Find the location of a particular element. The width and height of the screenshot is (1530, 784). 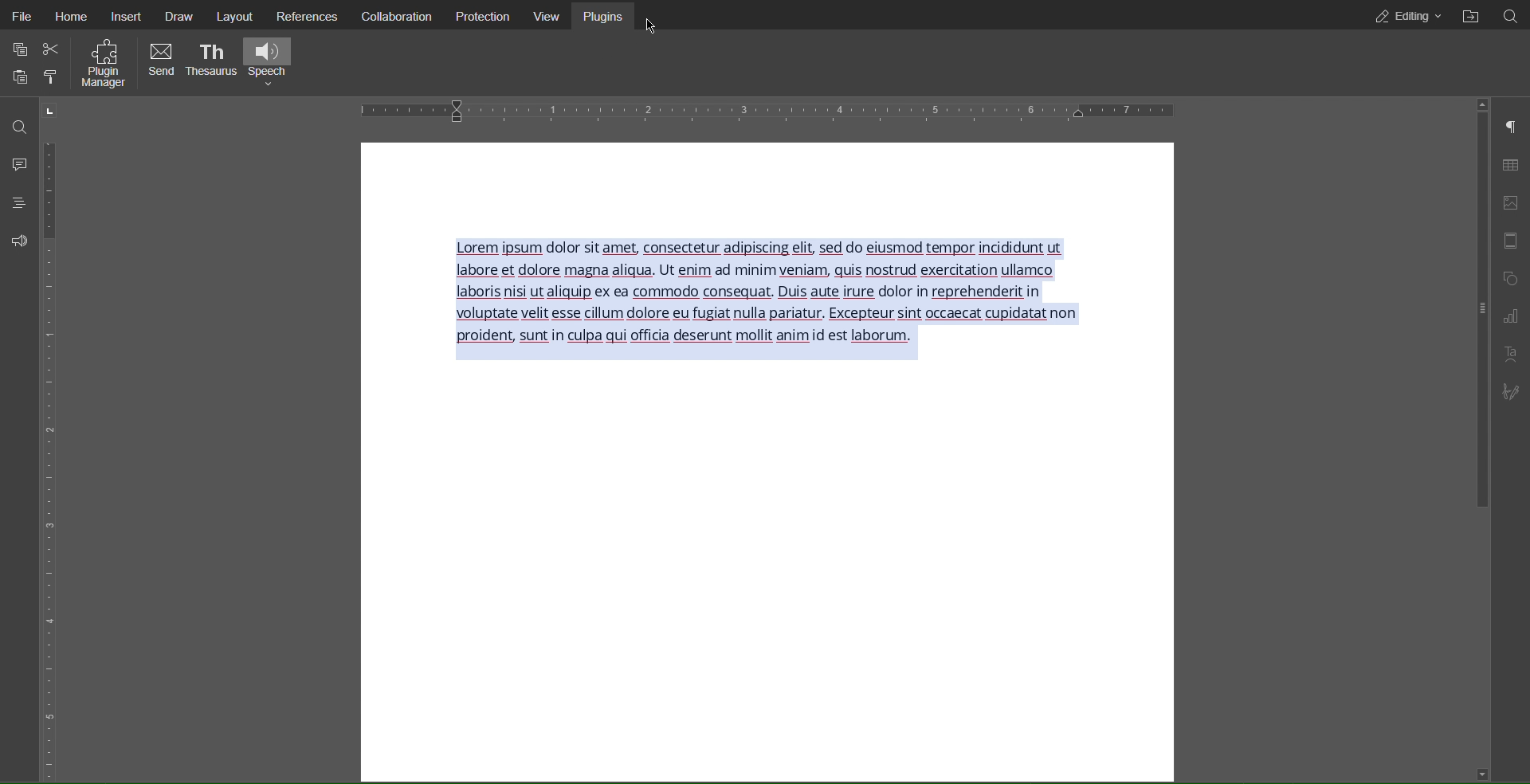

Image Settings is located at coordinates (1512, 203).